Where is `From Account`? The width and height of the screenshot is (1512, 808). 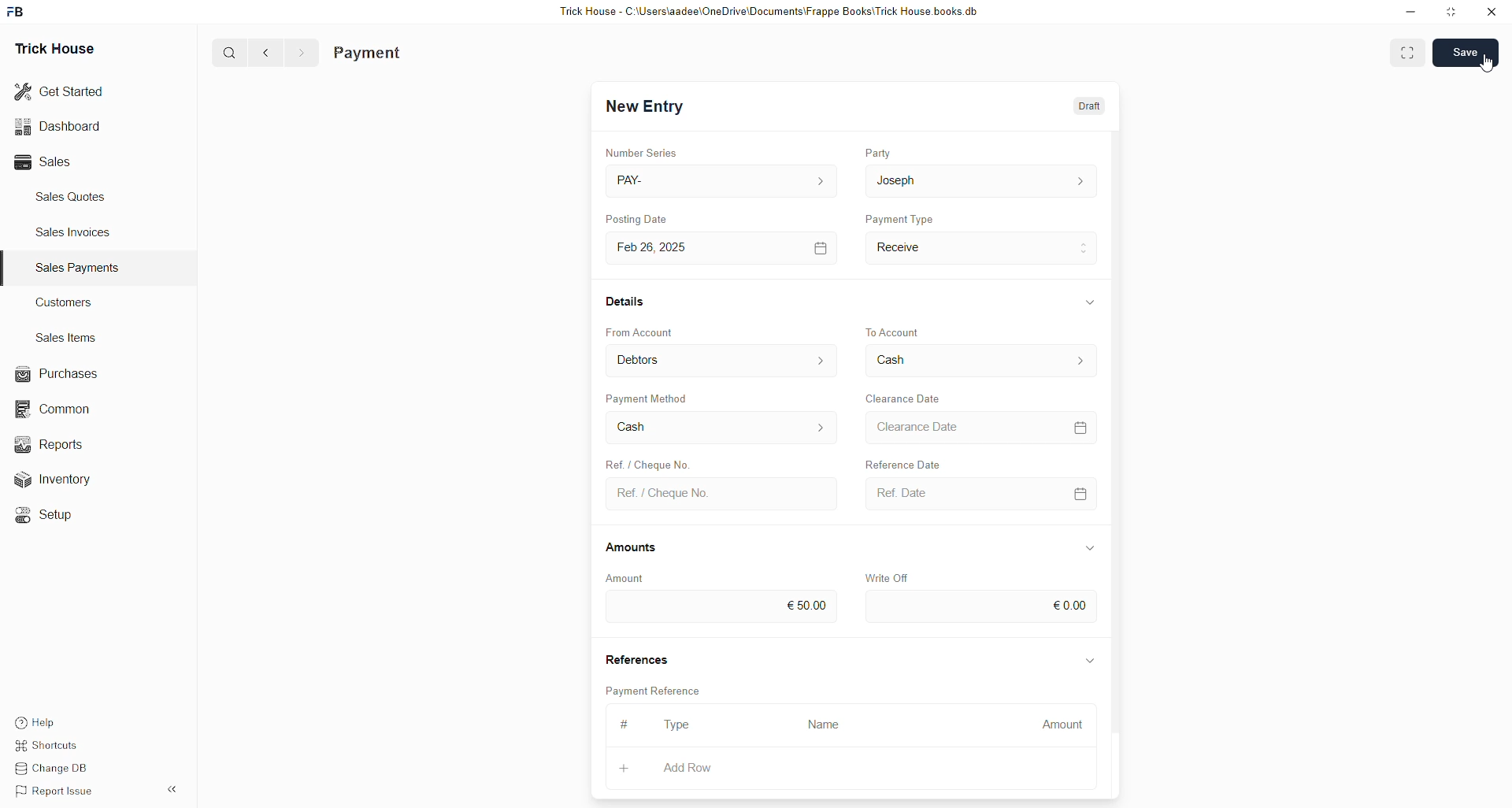
From Account is located at coordinates (640, 332).